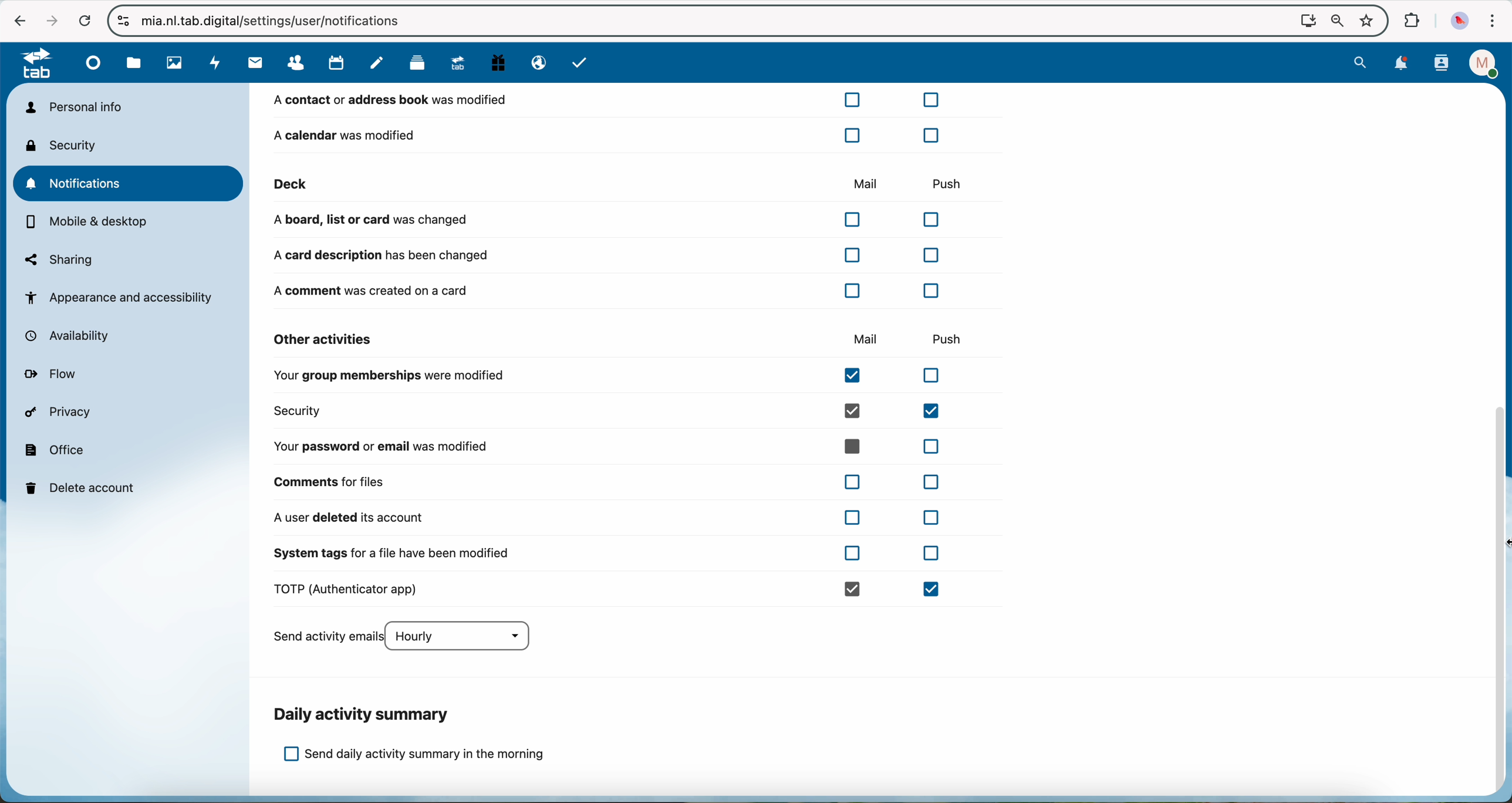 The image size is (1512, 803). I want to click on a calendar was modified, so click(606, 134).